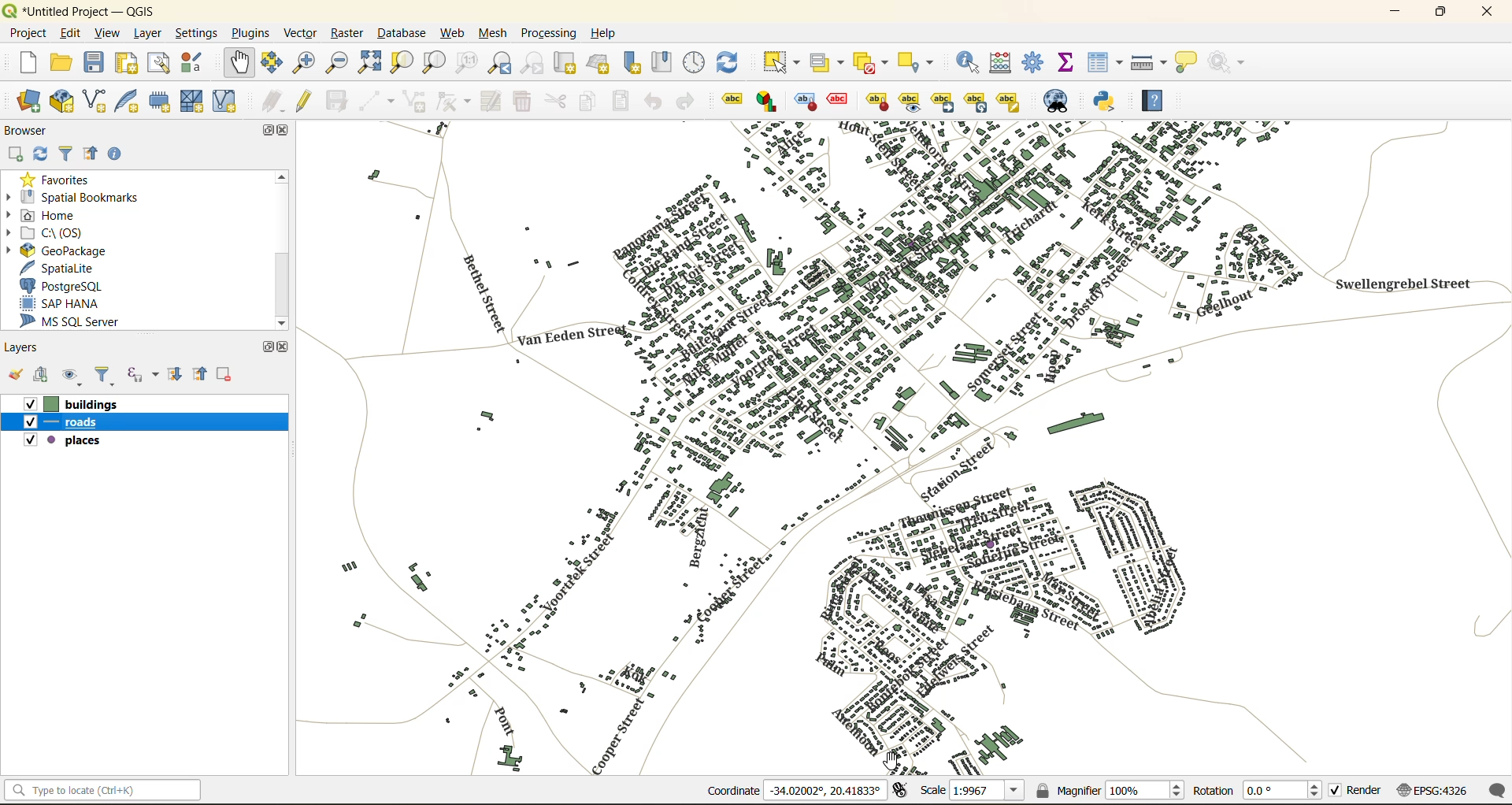  I want to click on processing, so click(551, 33).